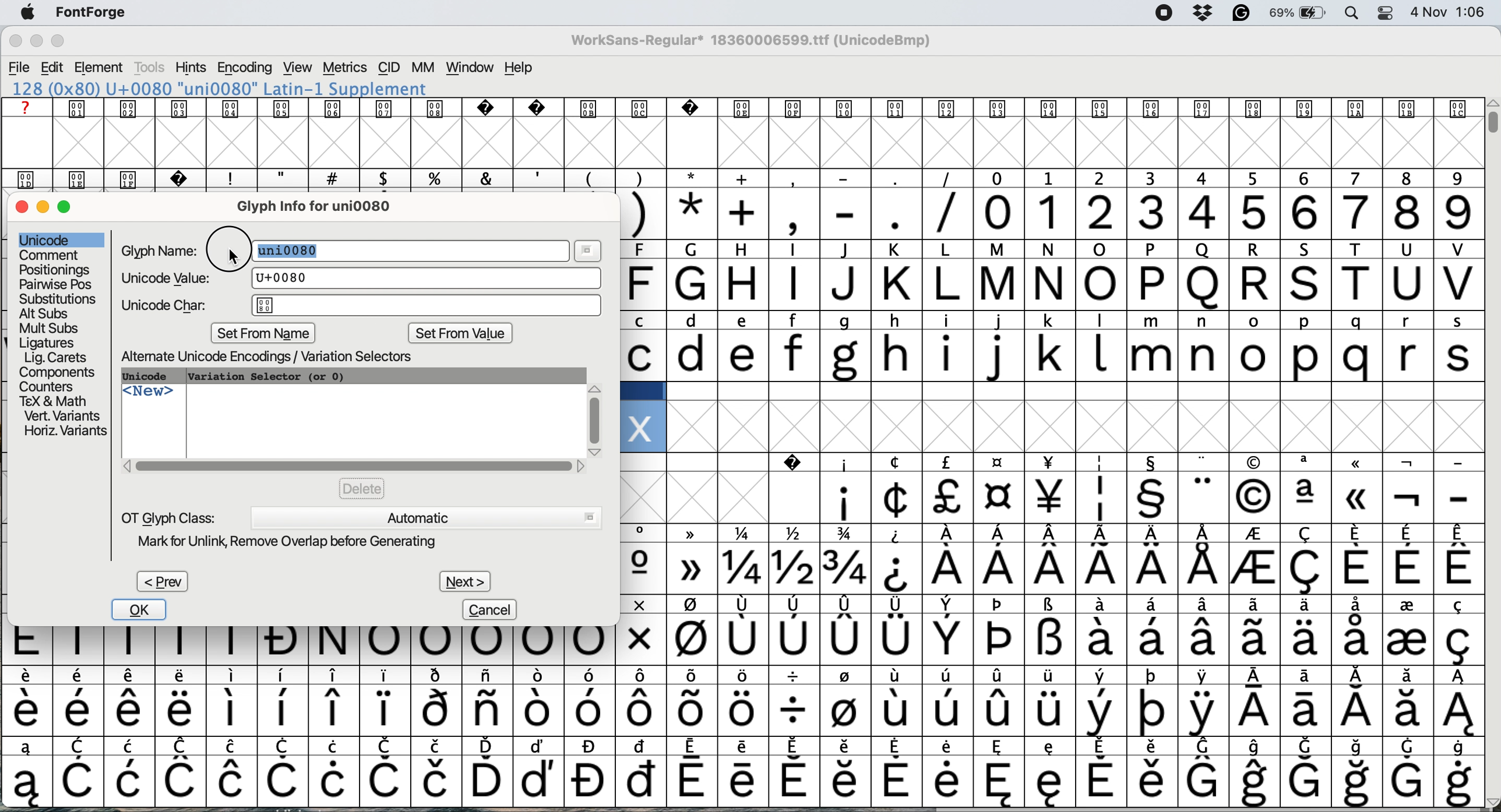  What do you see at coordinates (422, 68) in the screenshot?
I see `mm` at bounding box center [422, 68].